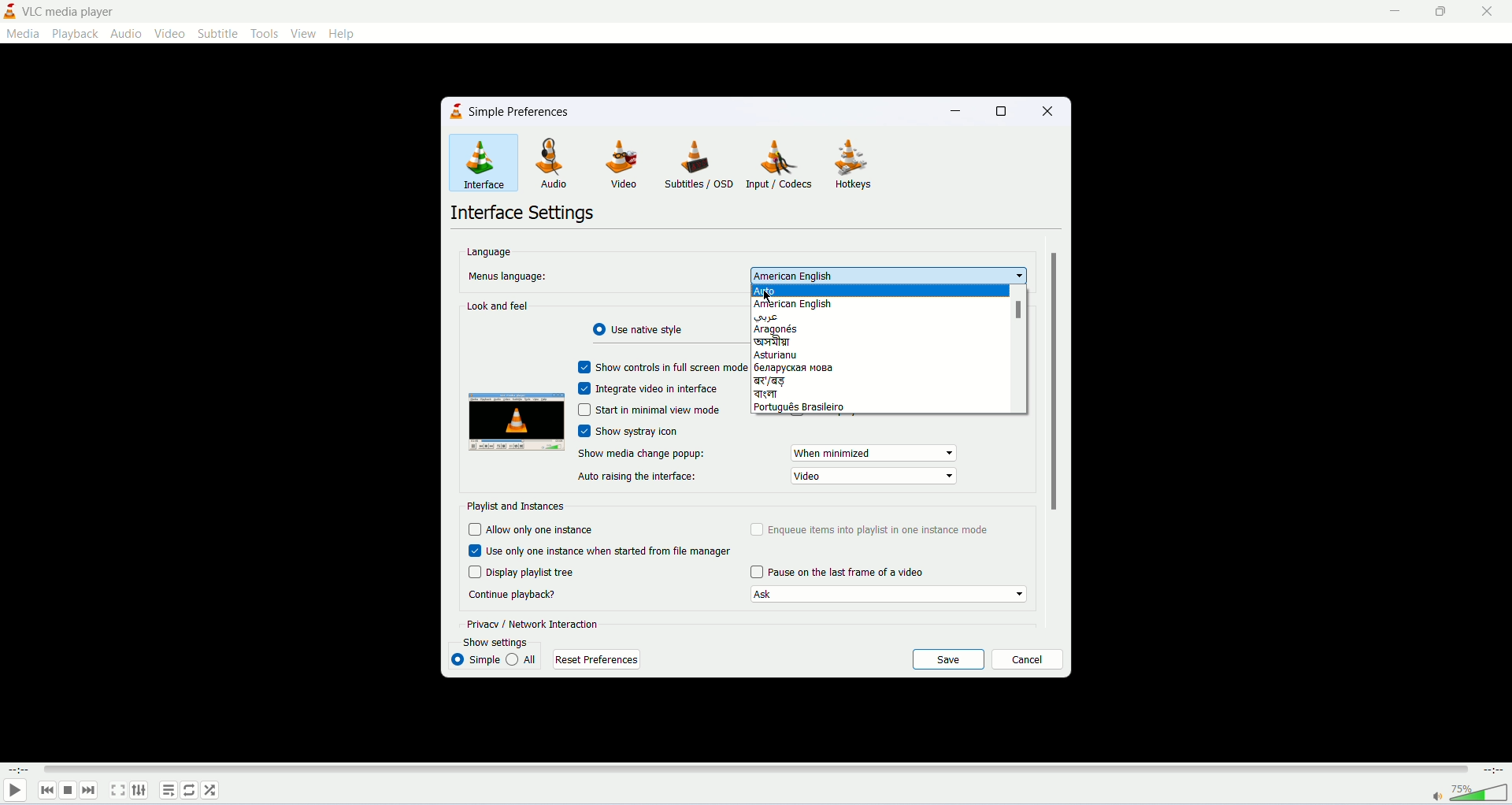 This screenshot has height=805, width=1512. What do you see at coordinates (768, 295) in the screenshot?
I see `mouse cursor` at bounding box center [768, 295].